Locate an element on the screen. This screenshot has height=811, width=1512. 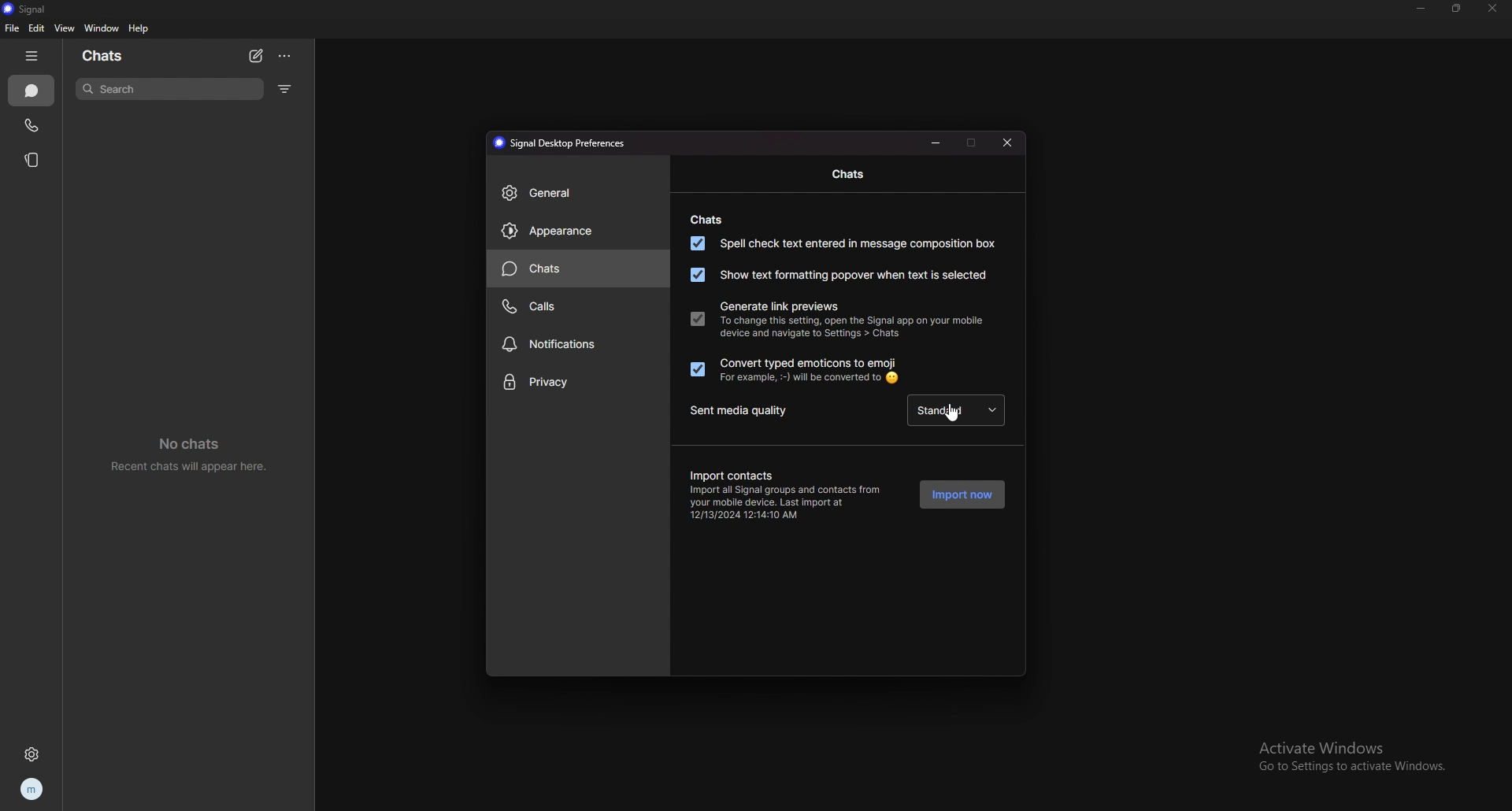
appearance is located at coordinates (578, 231).